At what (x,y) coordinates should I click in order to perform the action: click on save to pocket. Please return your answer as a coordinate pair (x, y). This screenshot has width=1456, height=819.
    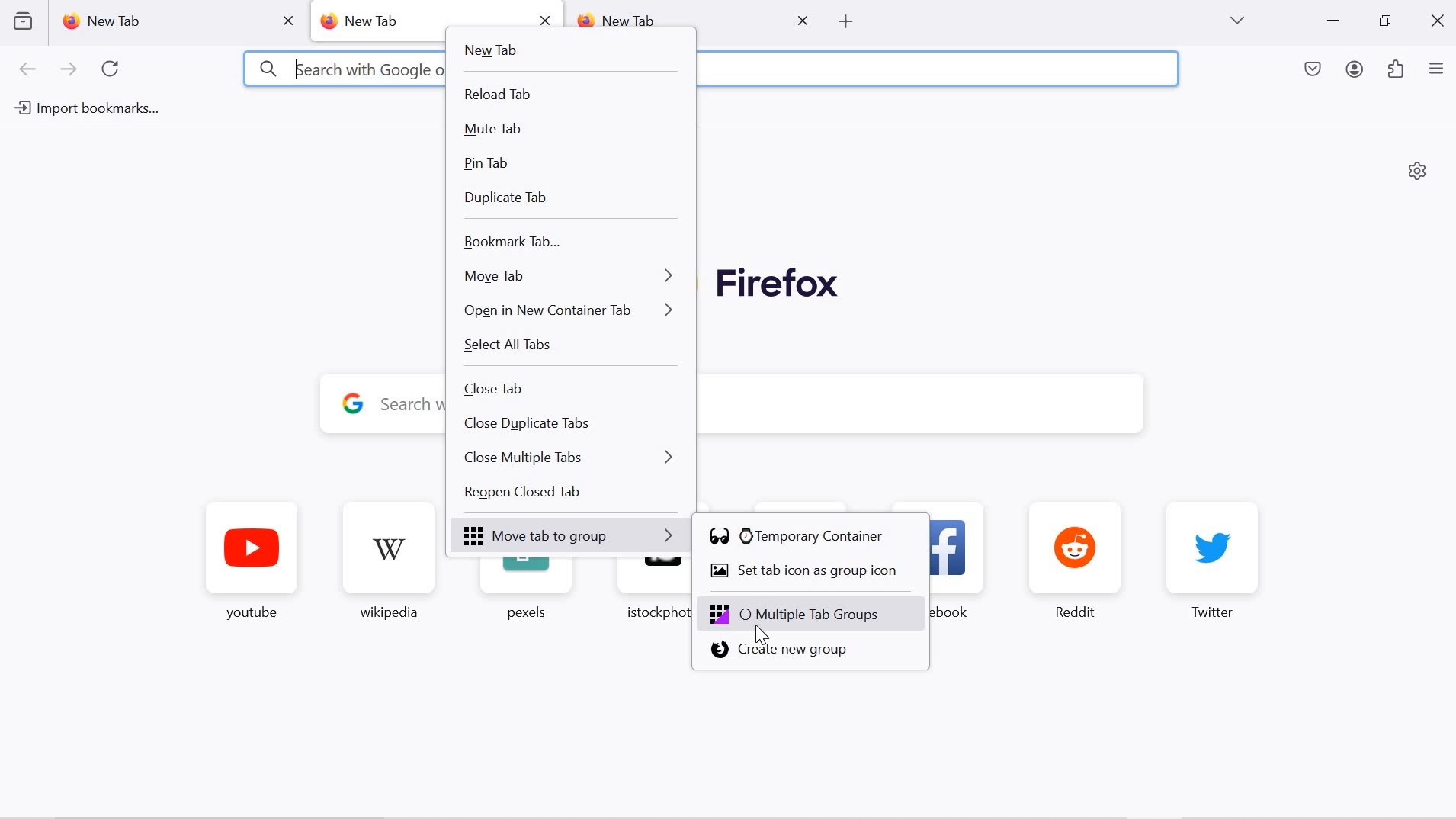
    Looking at the image, I should click on (1314, 71).